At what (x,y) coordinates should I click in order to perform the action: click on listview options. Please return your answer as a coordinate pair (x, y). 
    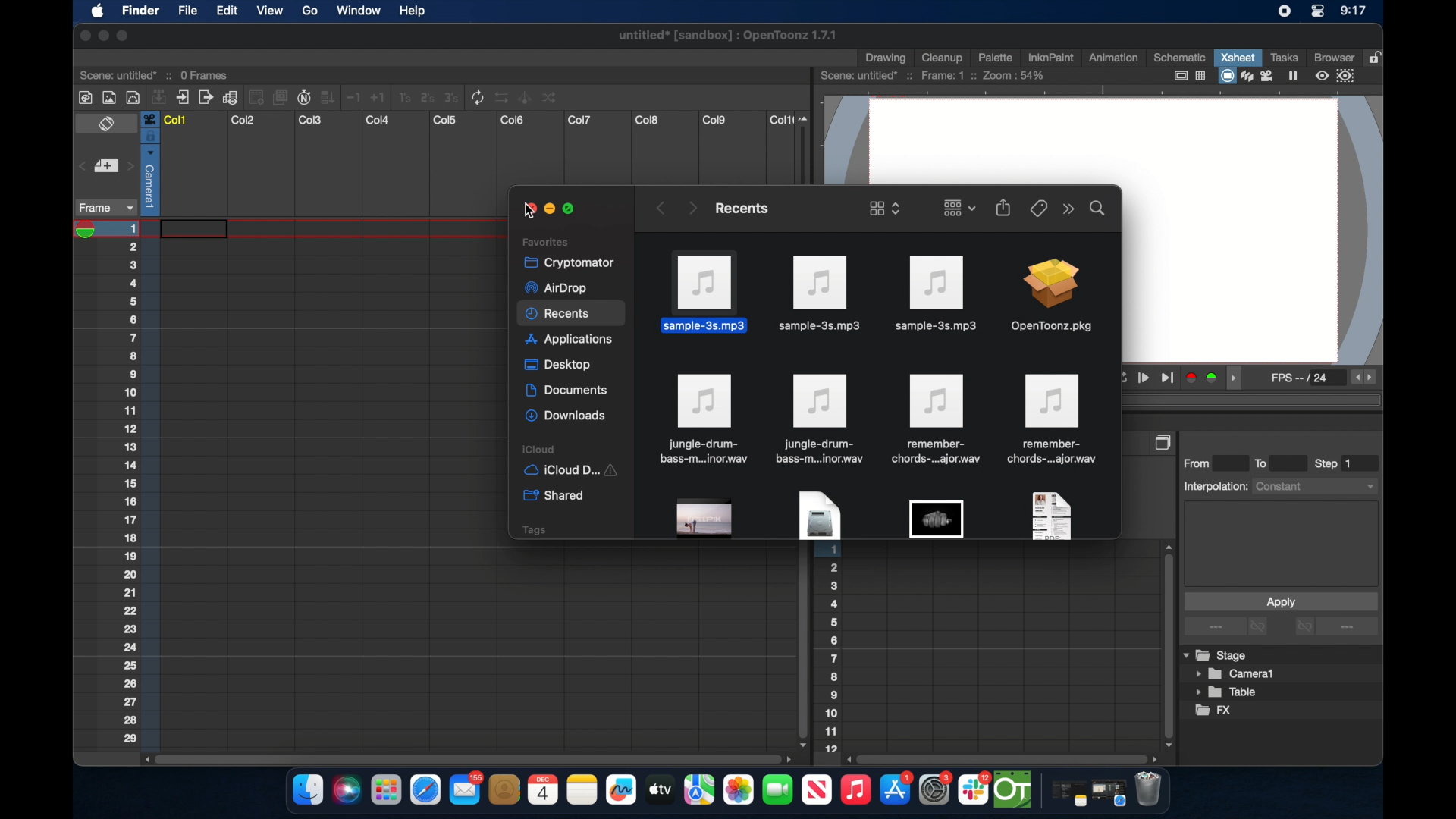
    Looking at the image, I should click on (884, 208).